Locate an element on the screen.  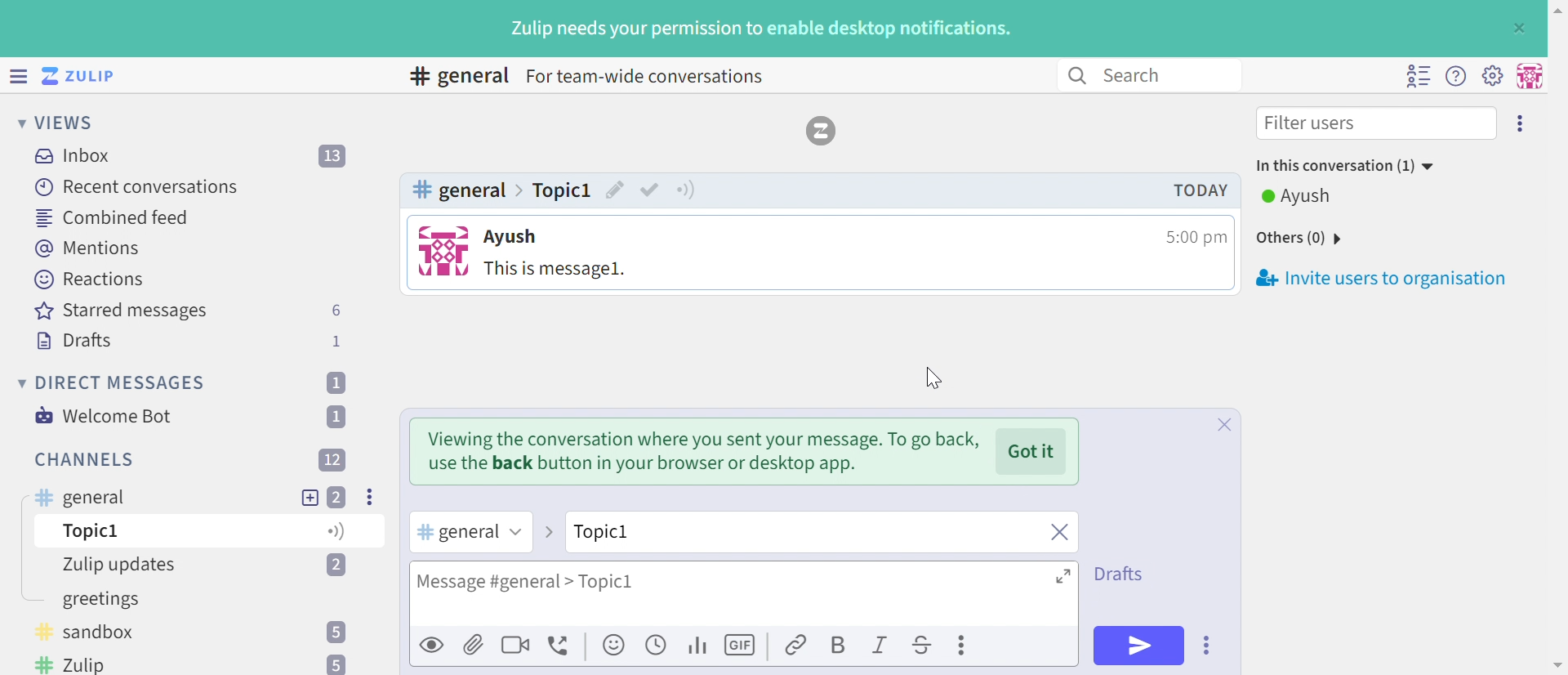
1 is located at coordinates (340, 416).